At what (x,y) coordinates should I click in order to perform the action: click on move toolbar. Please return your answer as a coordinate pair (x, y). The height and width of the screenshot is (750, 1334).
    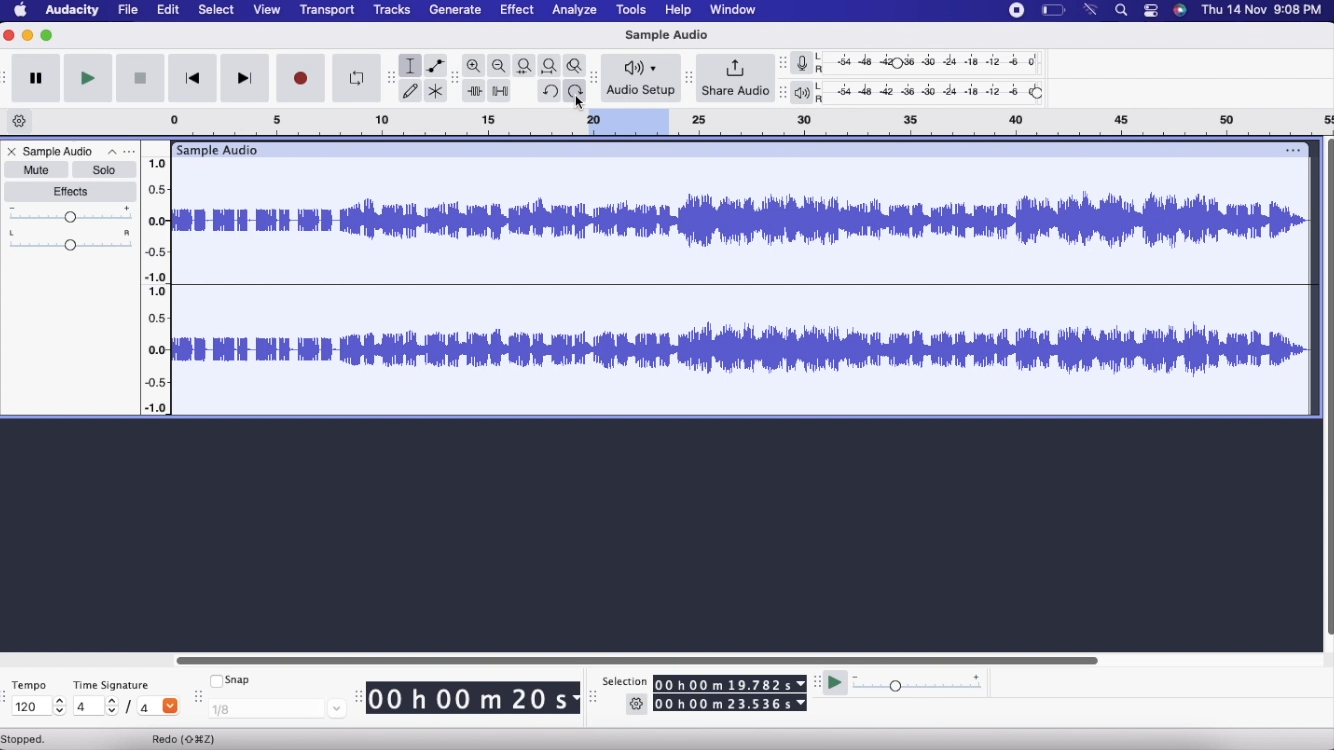
    Looking at the image, I should click on (8, 80).